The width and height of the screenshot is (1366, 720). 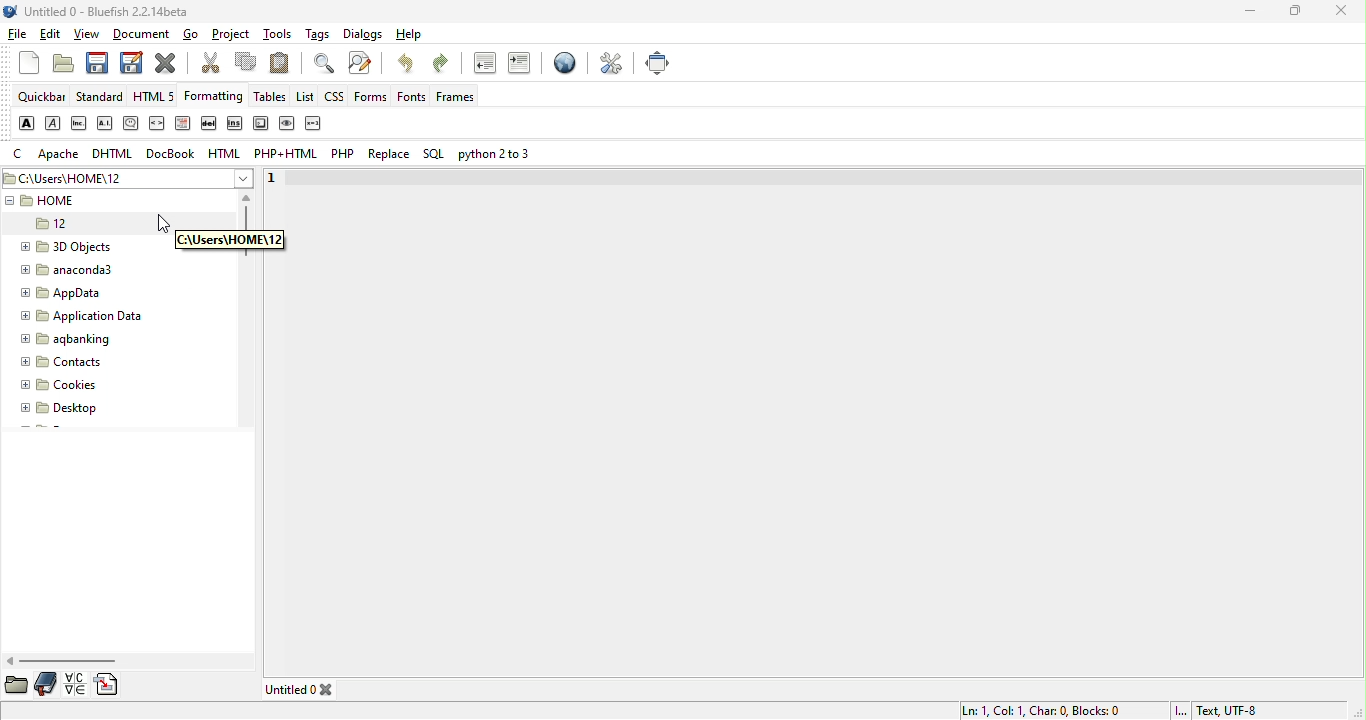 I want to click on horizontal scroll bar, so click(x=61, y=661).